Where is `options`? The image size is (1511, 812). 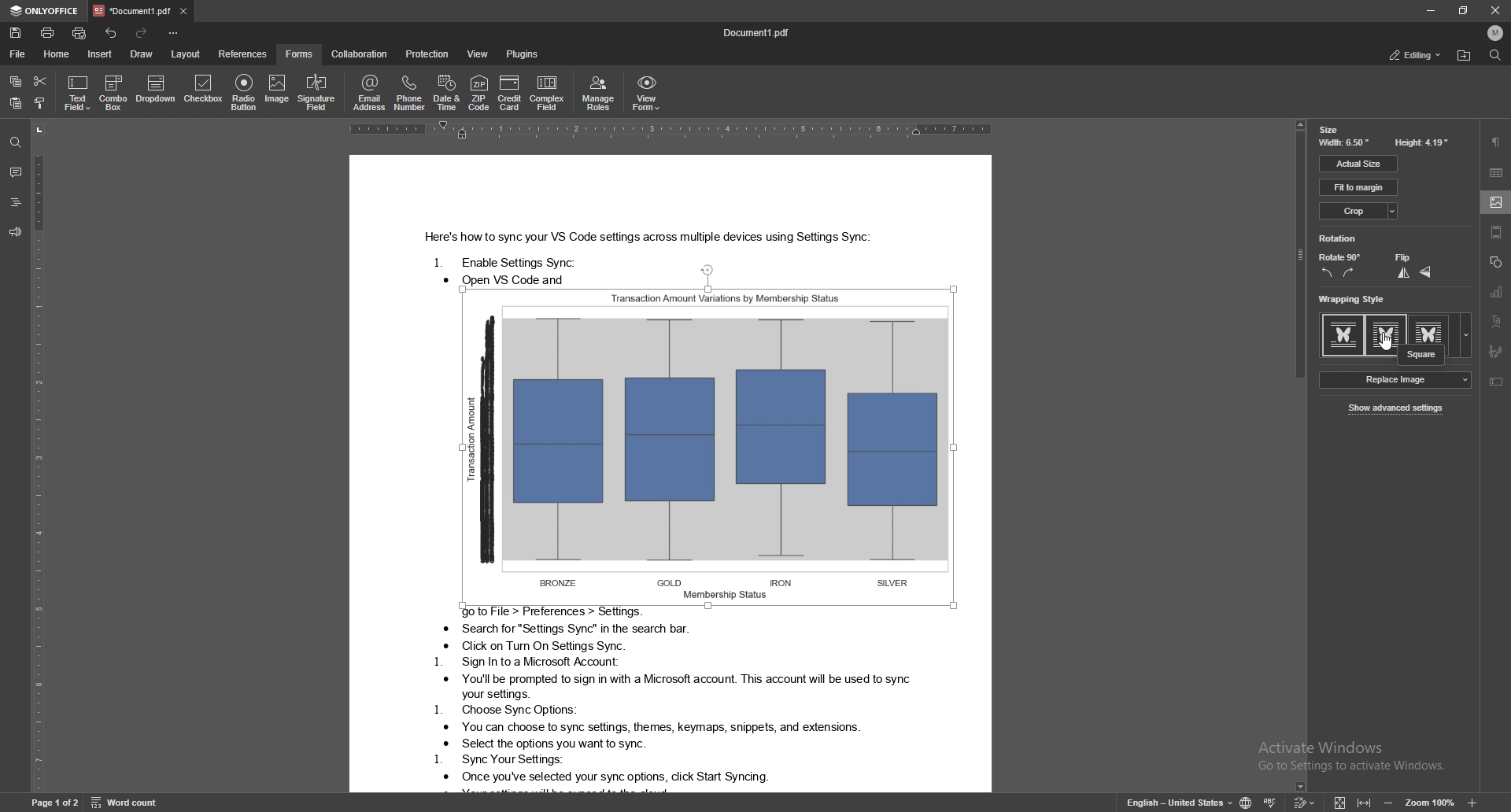 options is located at coordinates (173, 32).